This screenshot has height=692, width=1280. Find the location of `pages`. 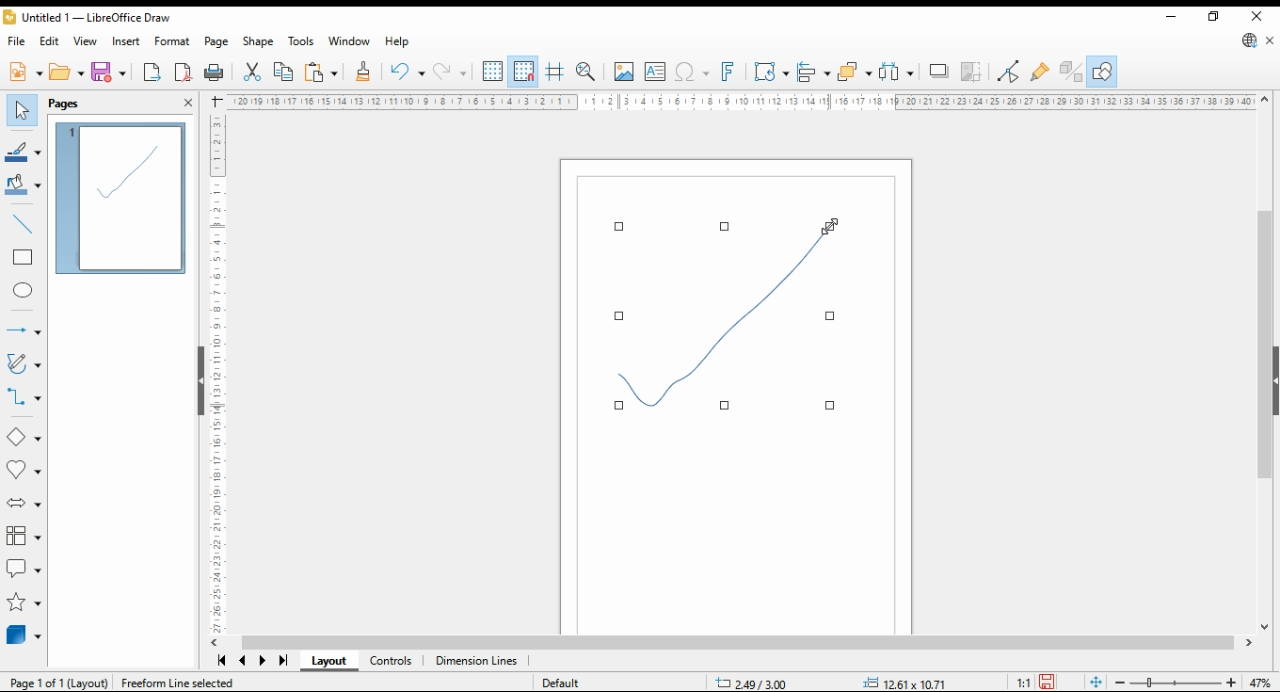

pages is located at coordinates (68, 104).